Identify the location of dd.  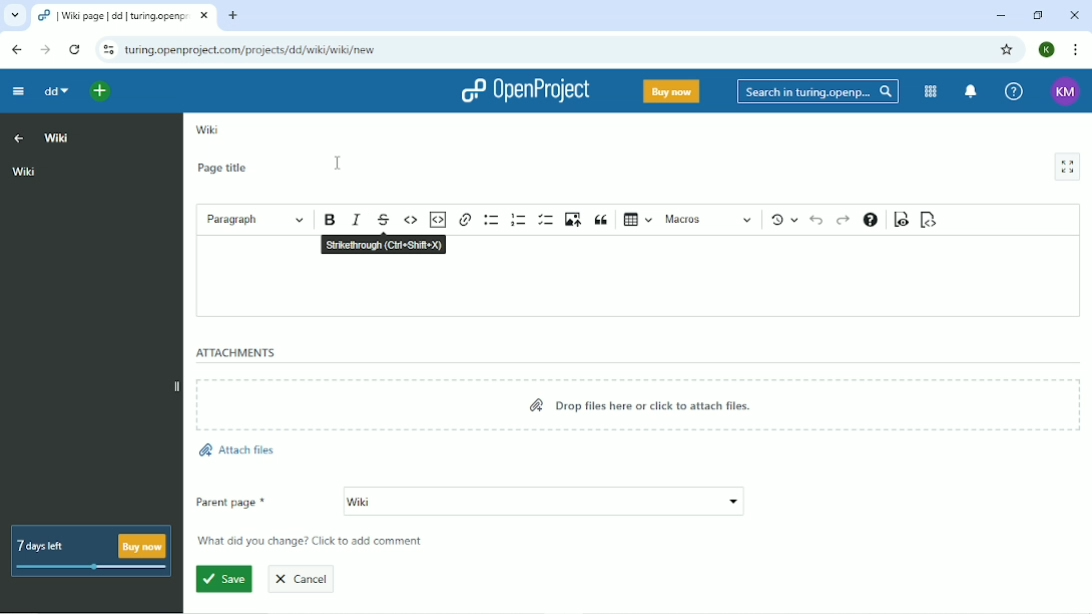
(57, 93).